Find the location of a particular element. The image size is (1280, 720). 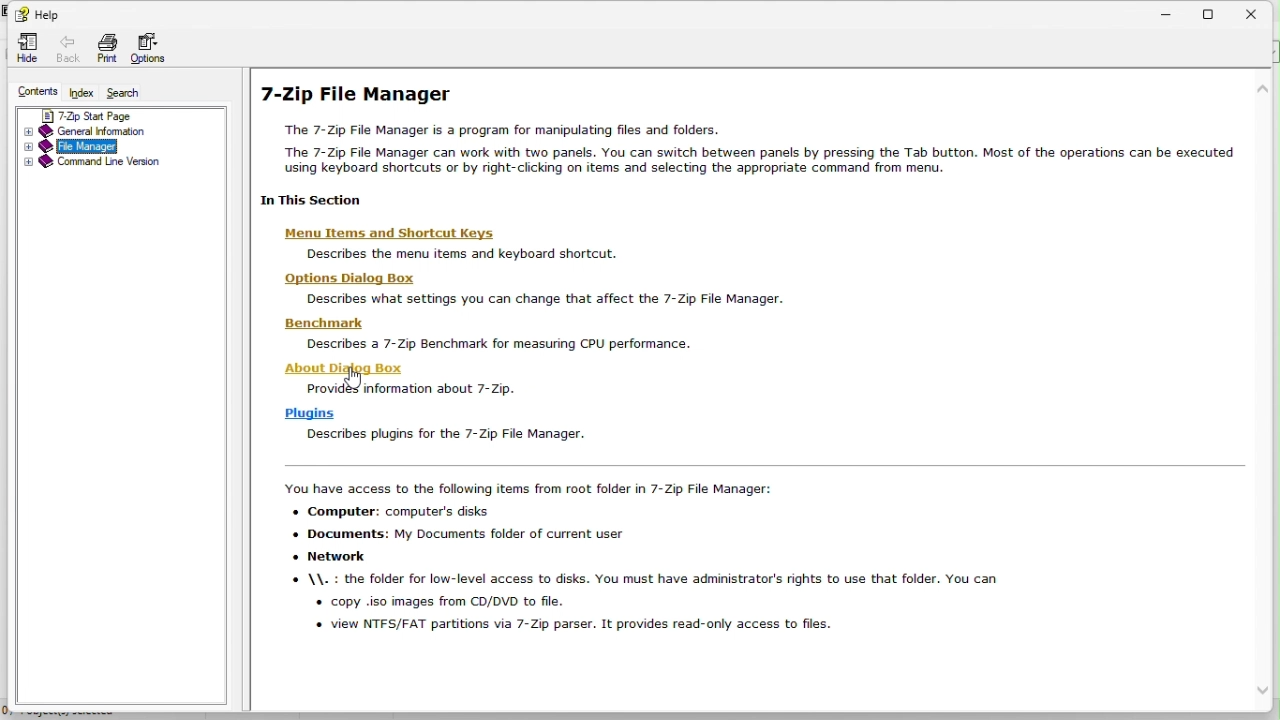

Describes what settings you can change that affect the 7-Zip File Manager. is located at coordinates (549, 299).